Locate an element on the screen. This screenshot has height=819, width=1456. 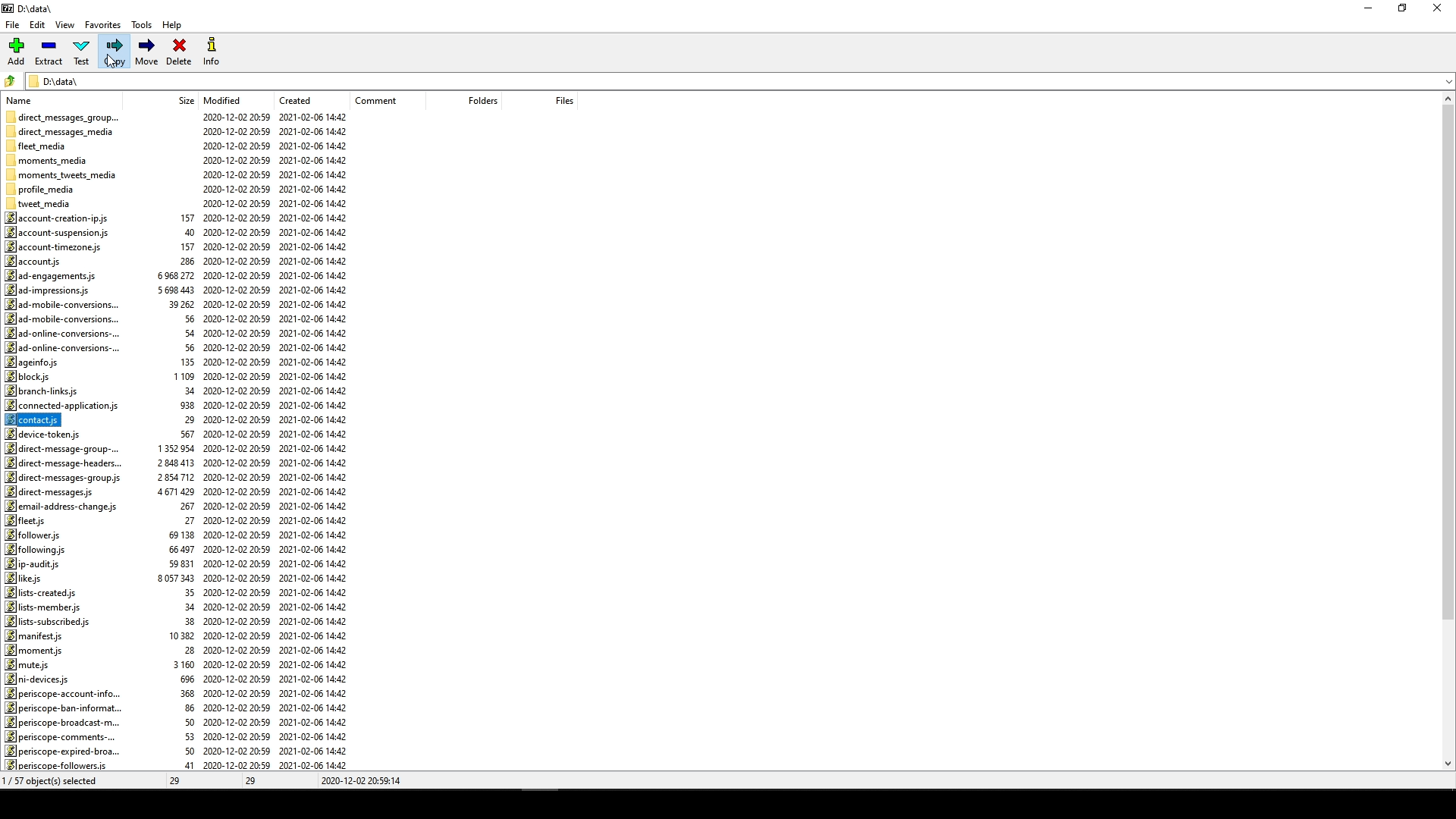
Move is located at coordinates (148, 52).